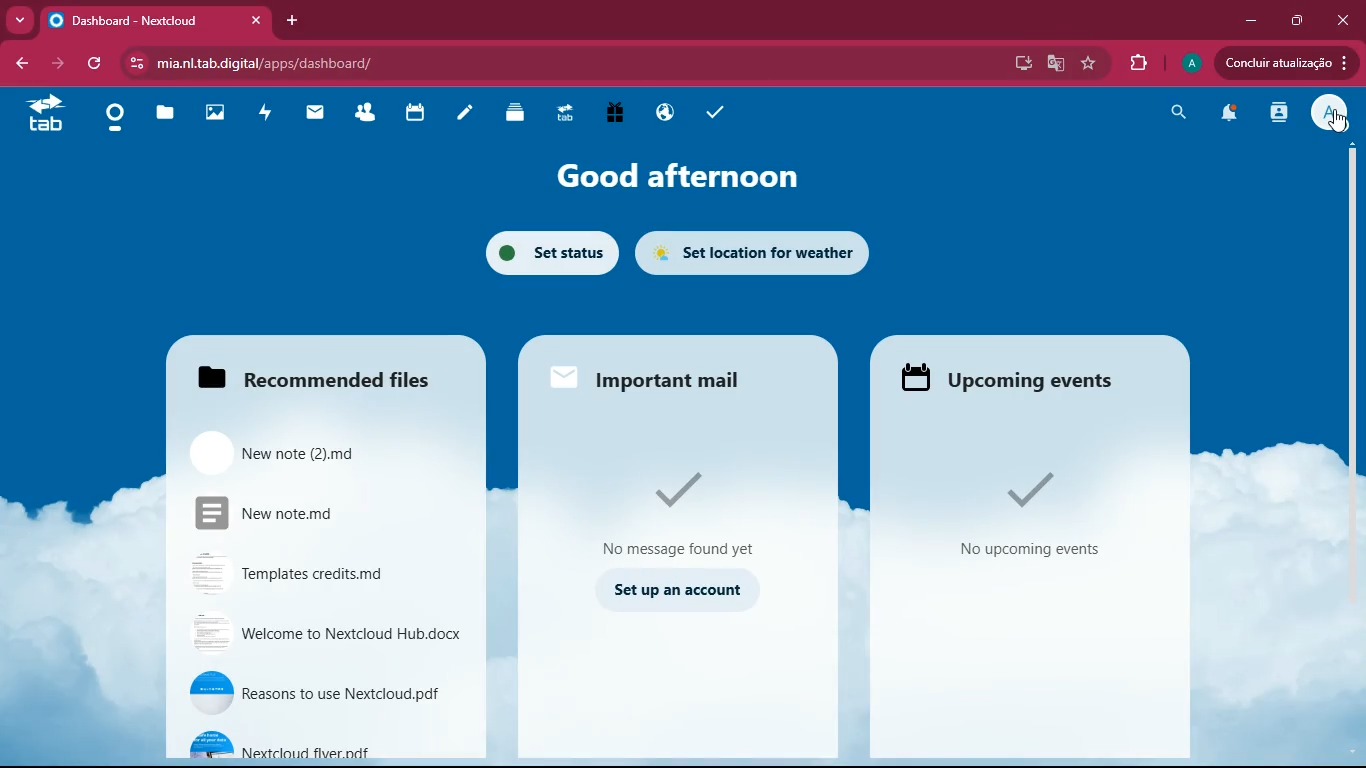 The height and width of the screenshot is (768, 1366). I want to click on images, so click(219, 114).